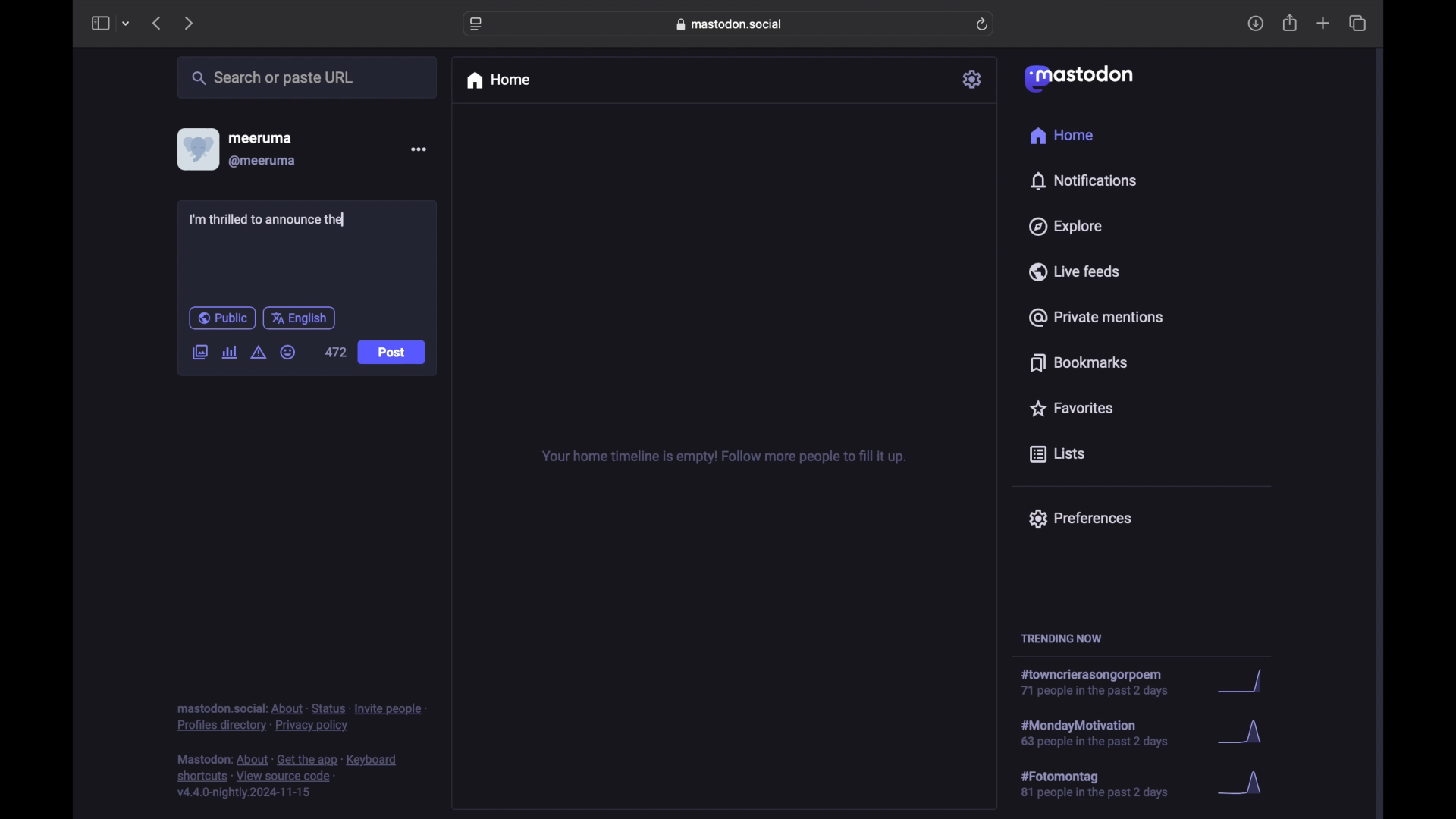 Image resolution: width=1456 pixels, height=819 pixels. I want to click on hashtag  trend, so click(1109, 732).